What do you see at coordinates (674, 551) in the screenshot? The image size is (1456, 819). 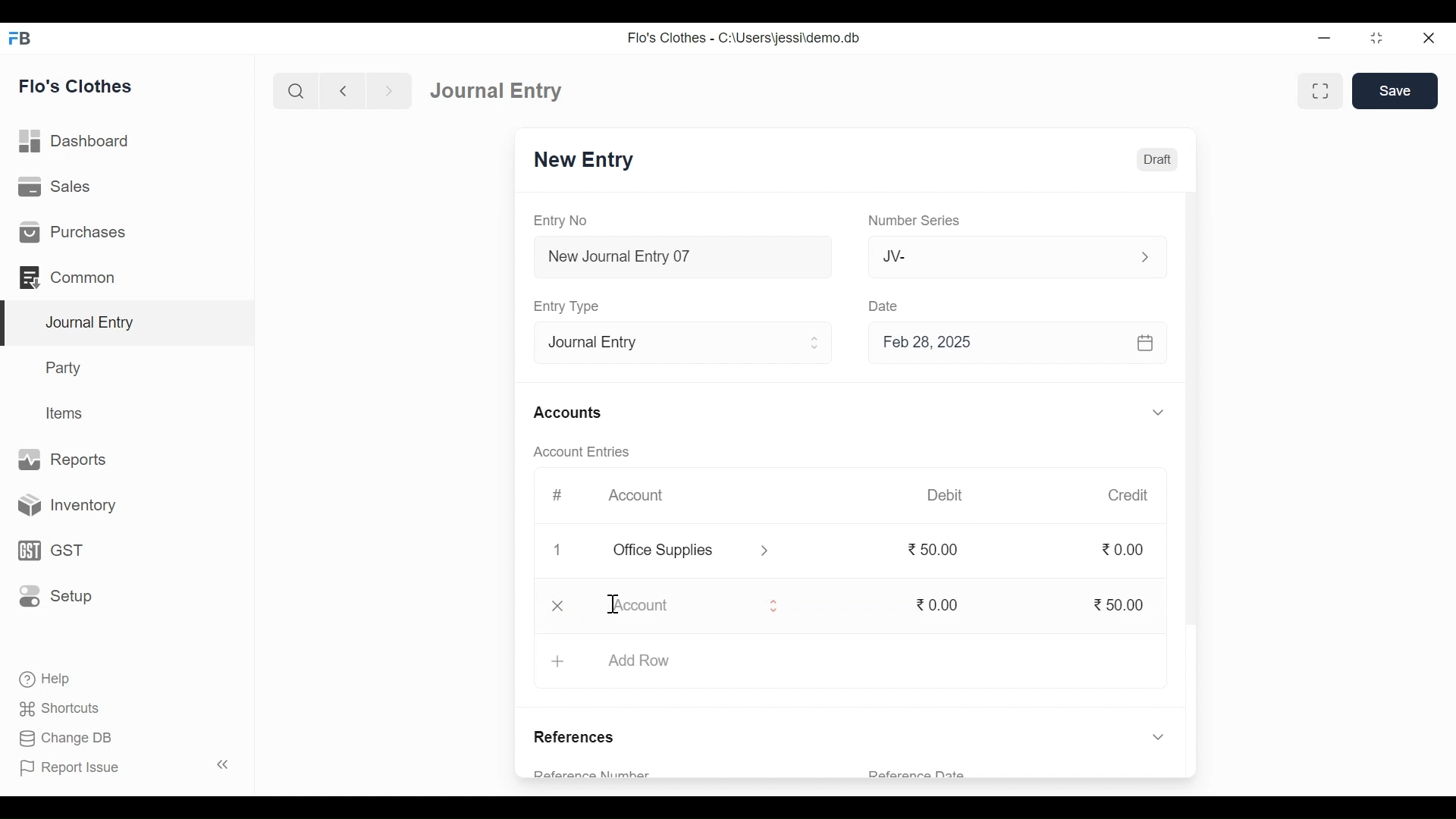 I see `Office Supplies` at bounding box center [674, 551].